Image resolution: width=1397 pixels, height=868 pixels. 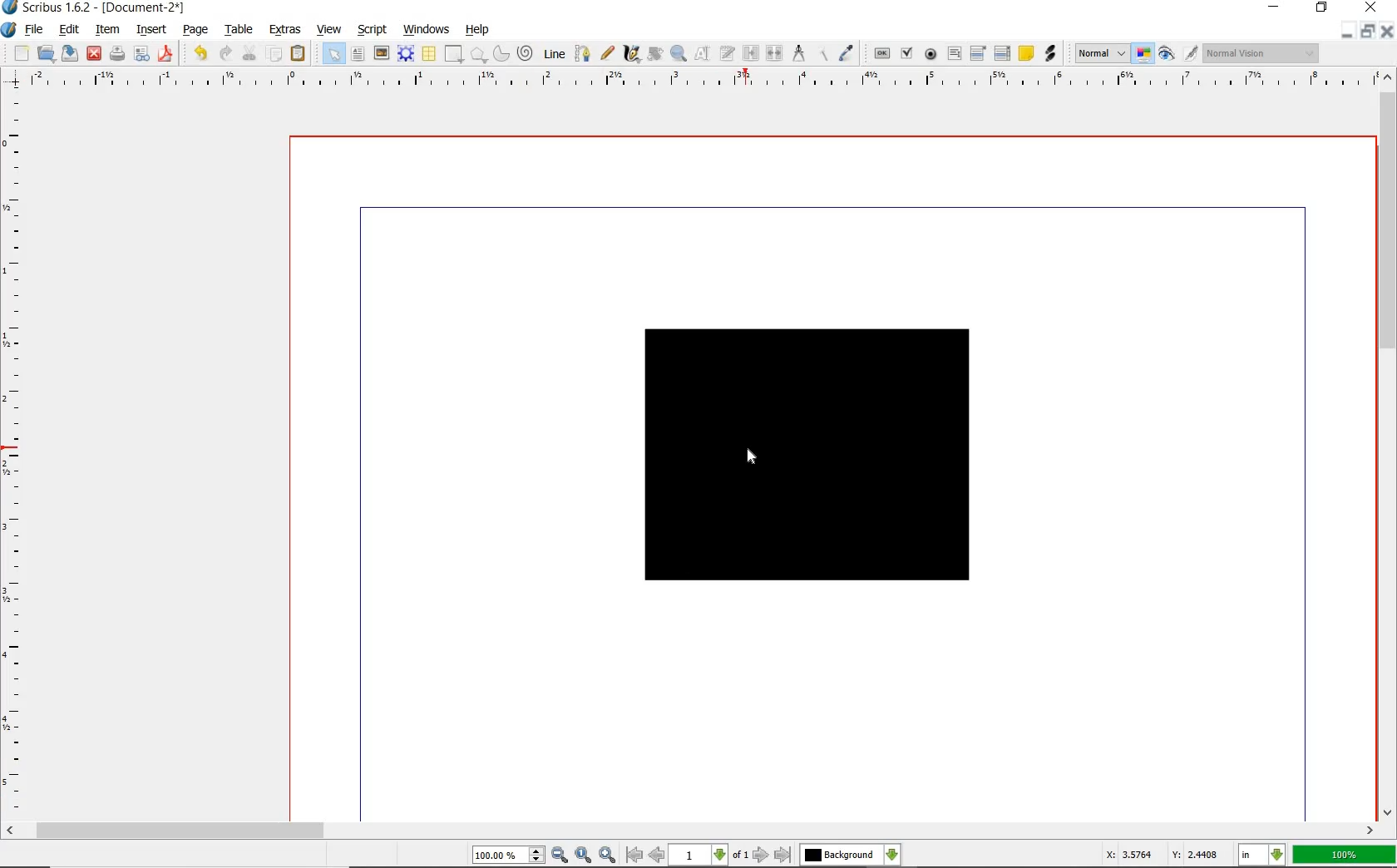 What do you see at coordinates (329, 29) in the screenshot?
I see `view` at bounding box center [329, 29].